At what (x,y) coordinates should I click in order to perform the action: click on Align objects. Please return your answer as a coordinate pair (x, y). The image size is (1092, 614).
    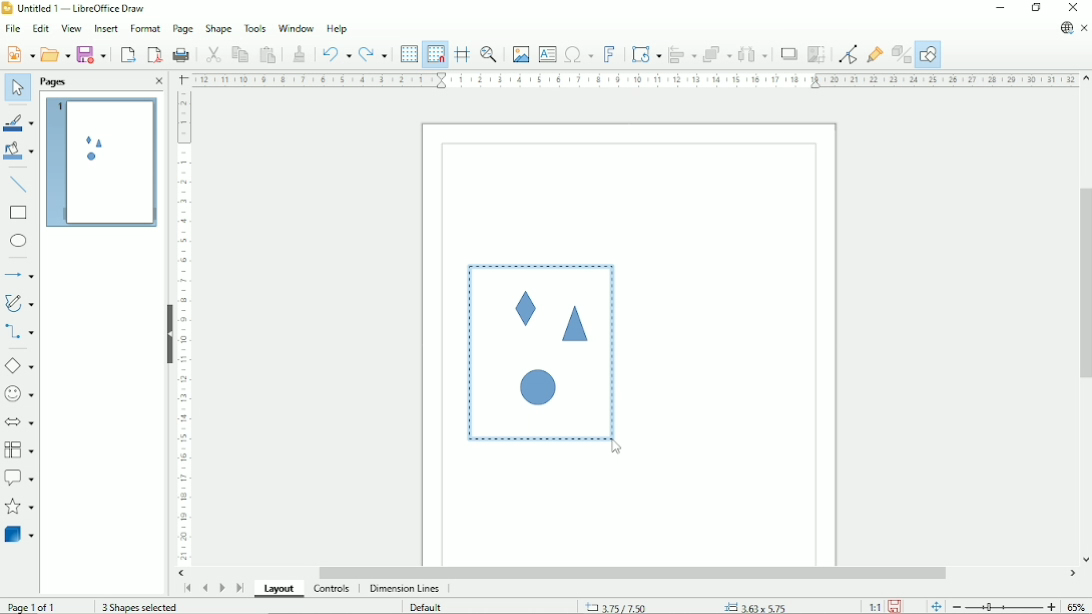
    Looking at the image, I should click on (682, 54).